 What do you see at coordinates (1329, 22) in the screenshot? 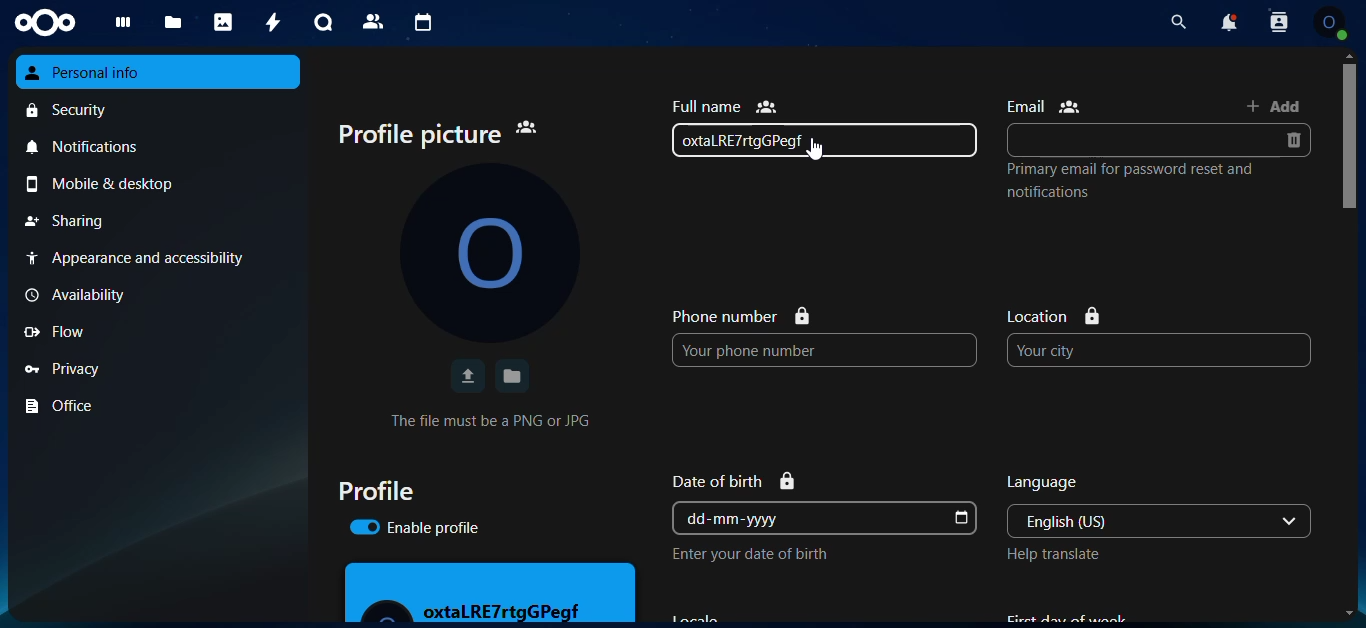
I see `profile` at bounding box center [1329, 22].